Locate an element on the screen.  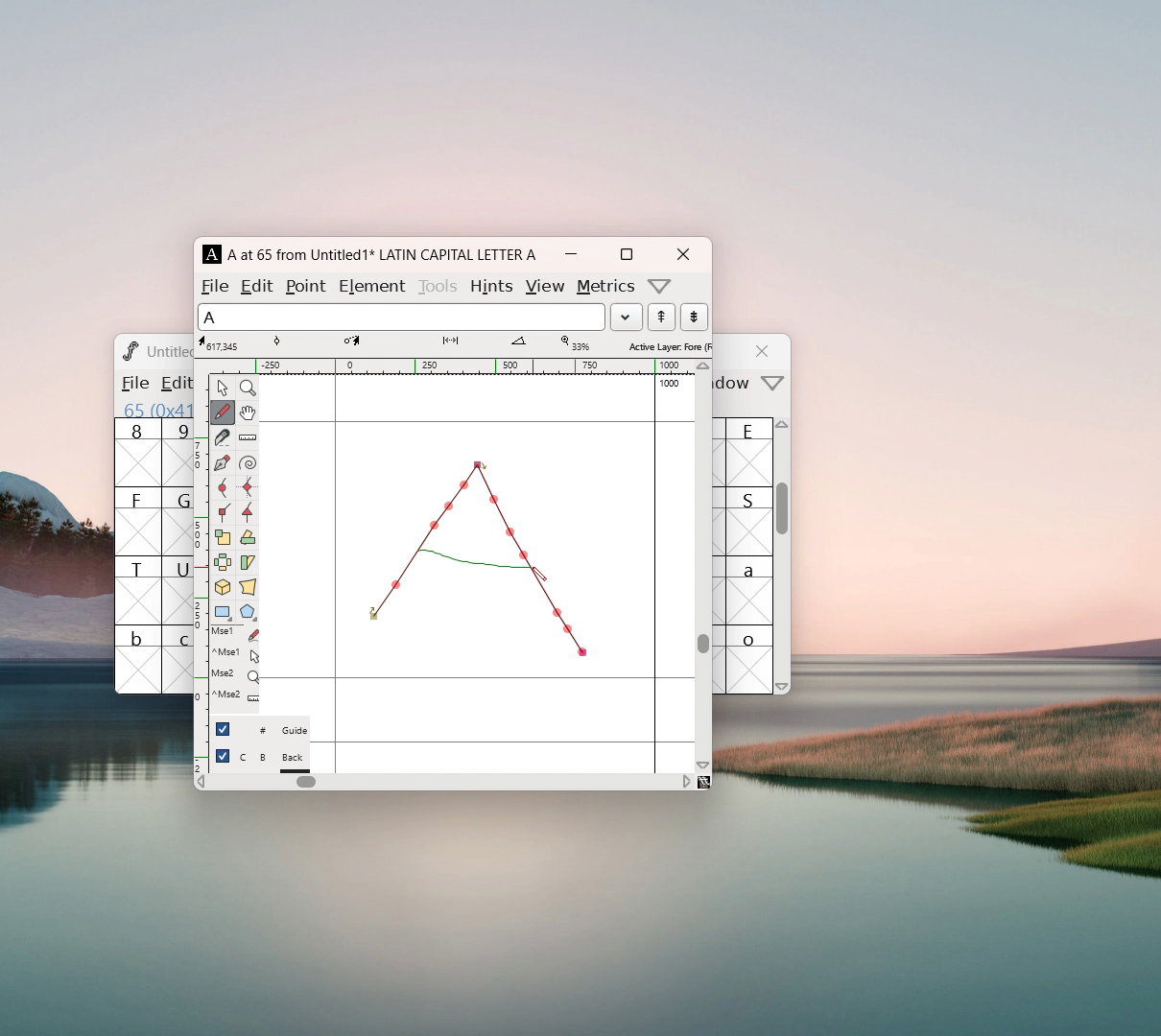
S is located at coordinates (749, 521).